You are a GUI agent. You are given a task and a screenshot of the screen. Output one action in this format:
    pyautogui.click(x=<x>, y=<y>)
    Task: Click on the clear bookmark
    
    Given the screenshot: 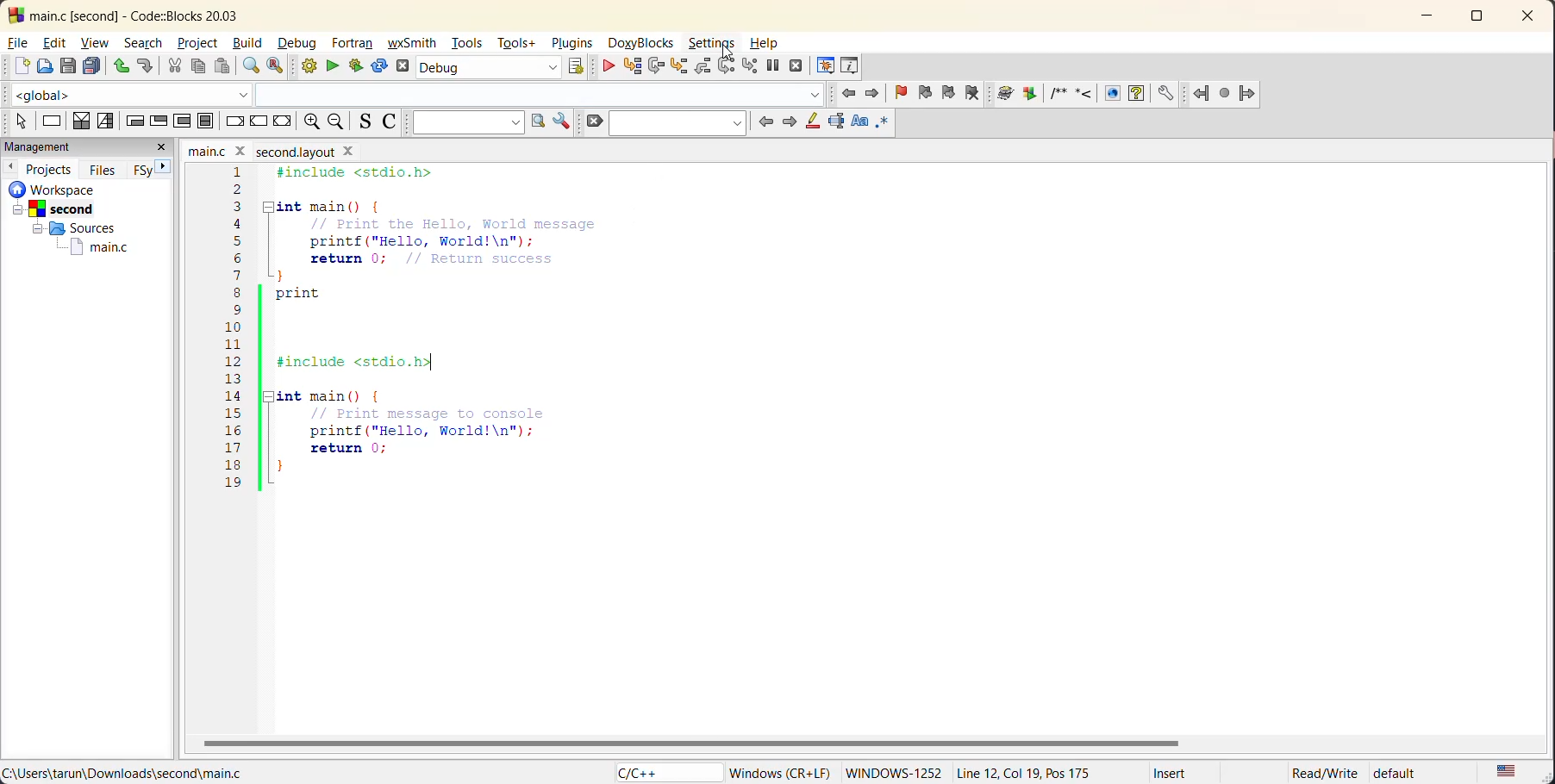 What is the action you would take?
    pyautogui.click(x=974, y=93)
    